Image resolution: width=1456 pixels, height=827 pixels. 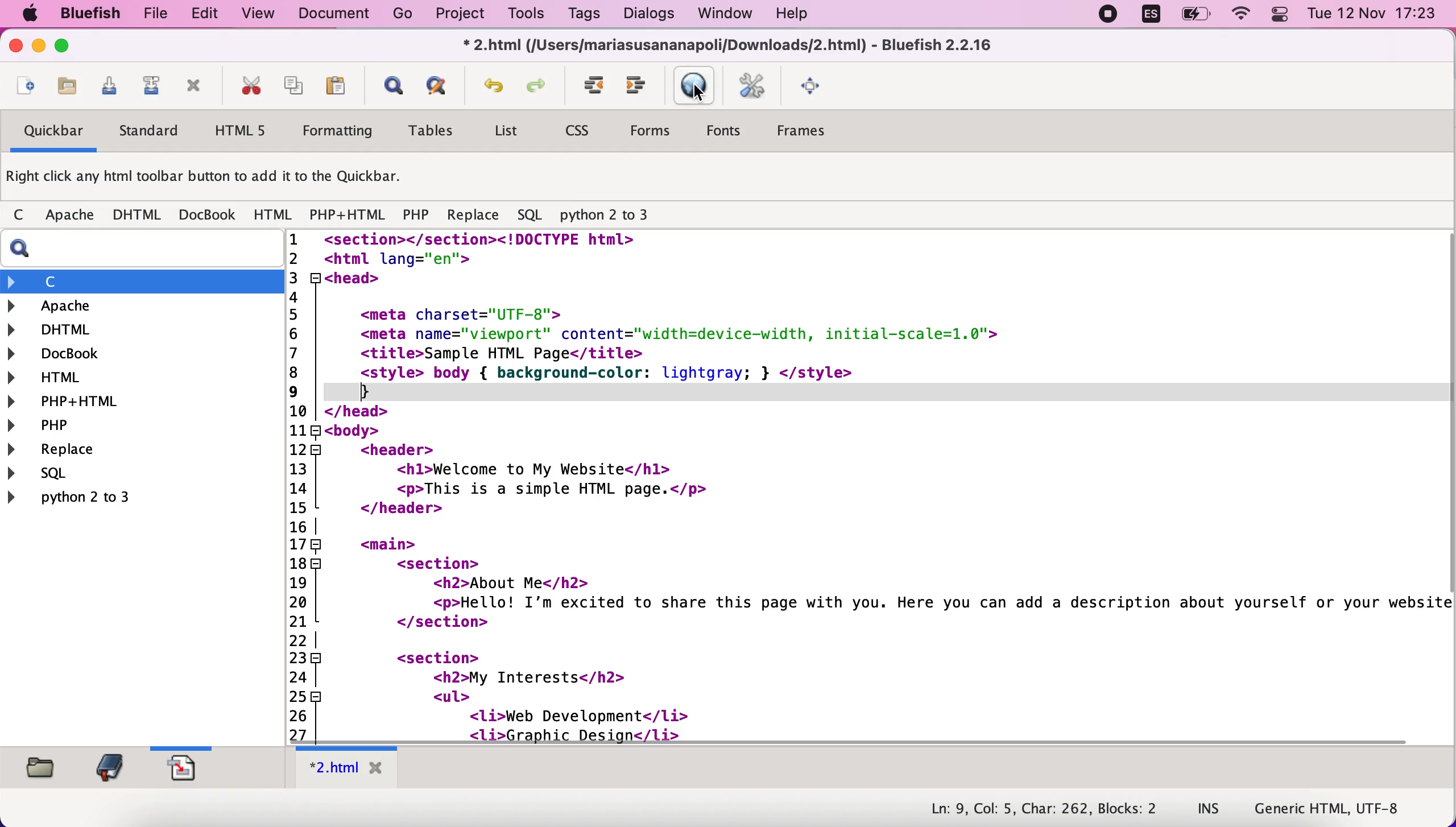 What do you see at coordinates (121, 500) in the screenshot?
I see `python 2 to 3` at bounding box center [121, 500].